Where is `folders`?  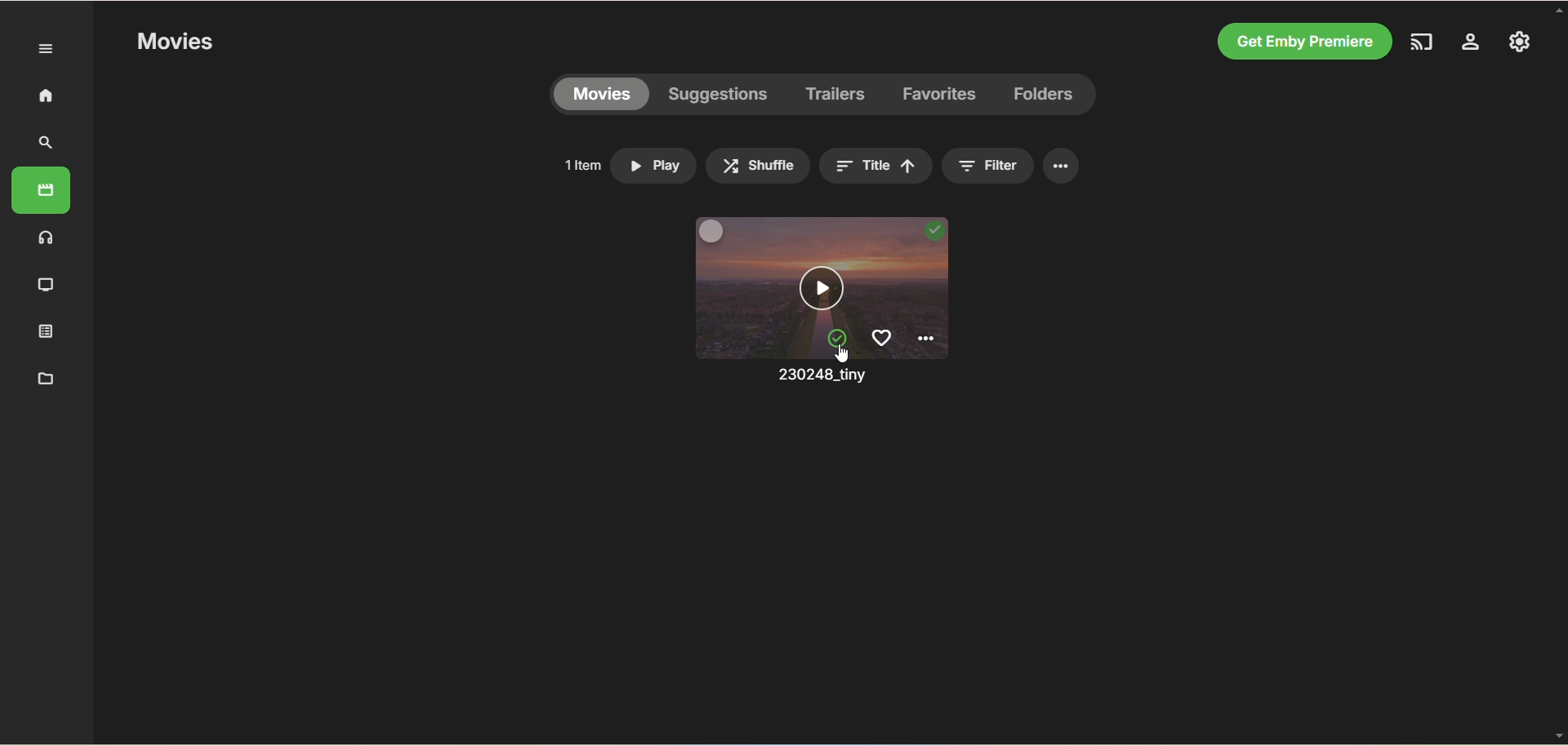
folders is located at coordinates (1045, 95).